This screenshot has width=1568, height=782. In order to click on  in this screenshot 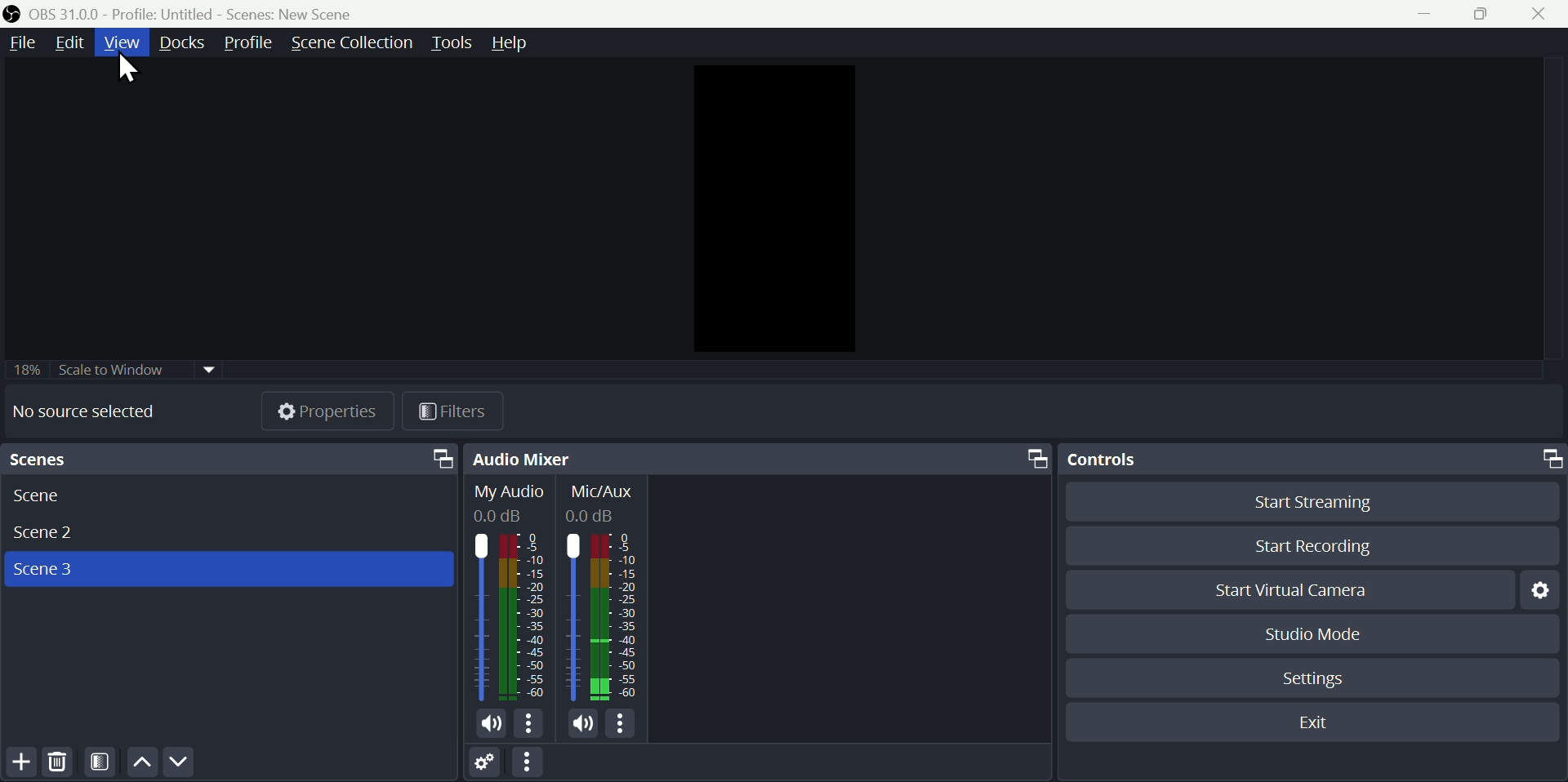, I will do `click(1476, 13)`.